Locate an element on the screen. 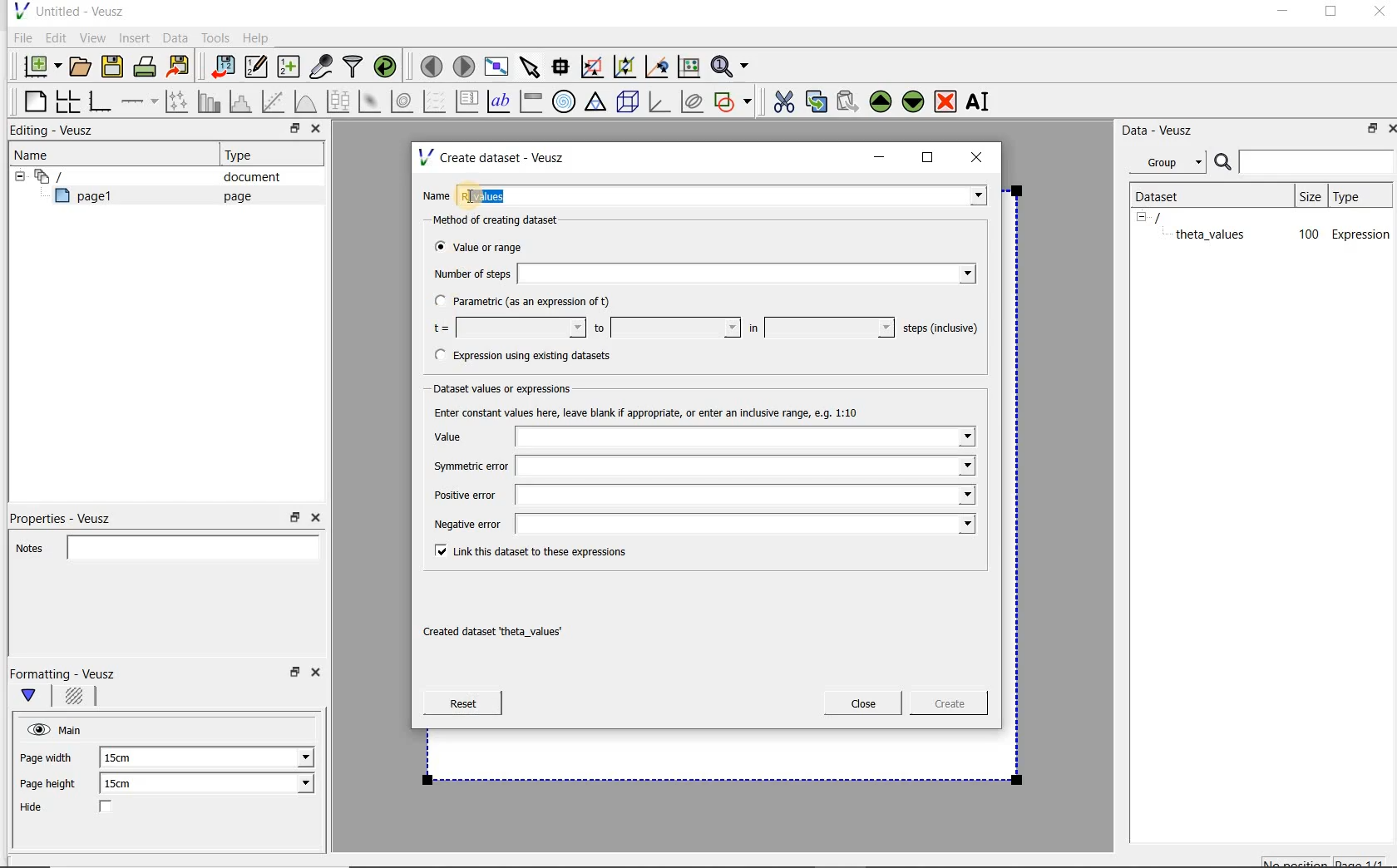  Close is located at coordinates (314, 518).